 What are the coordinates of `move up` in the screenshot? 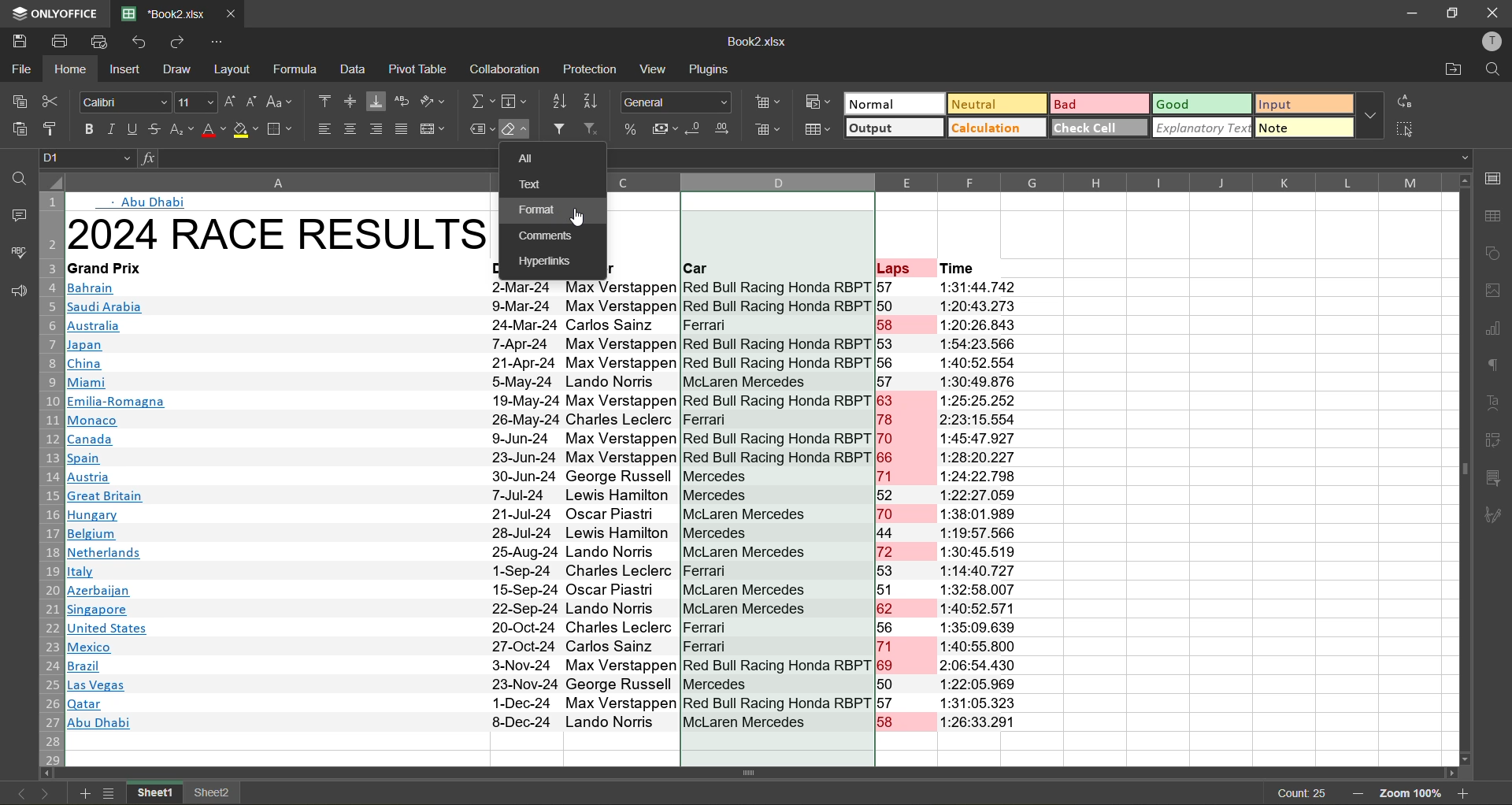 It's located at (1466, 180).